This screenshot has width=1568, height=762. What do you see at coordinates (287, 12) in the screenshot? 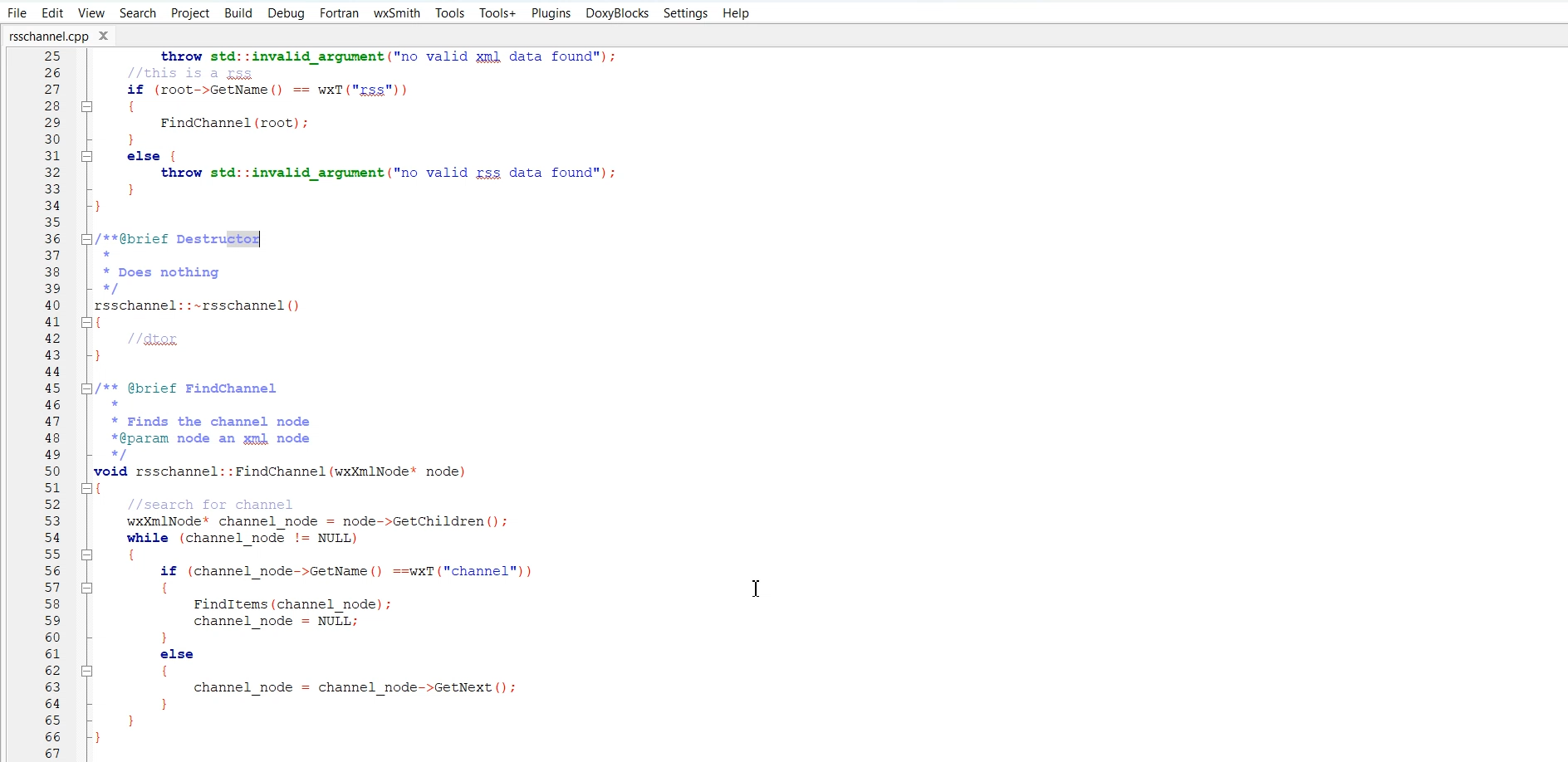
I see `Debug` at bounding box center [287, 12].